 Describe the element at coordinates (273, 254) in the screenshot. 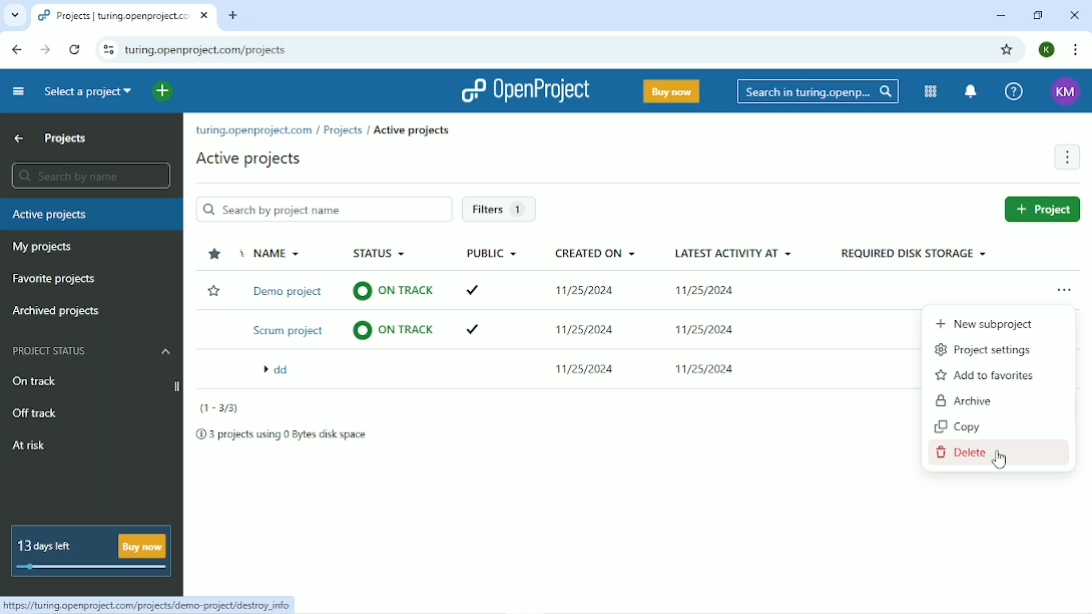

I see `Name` at that location.